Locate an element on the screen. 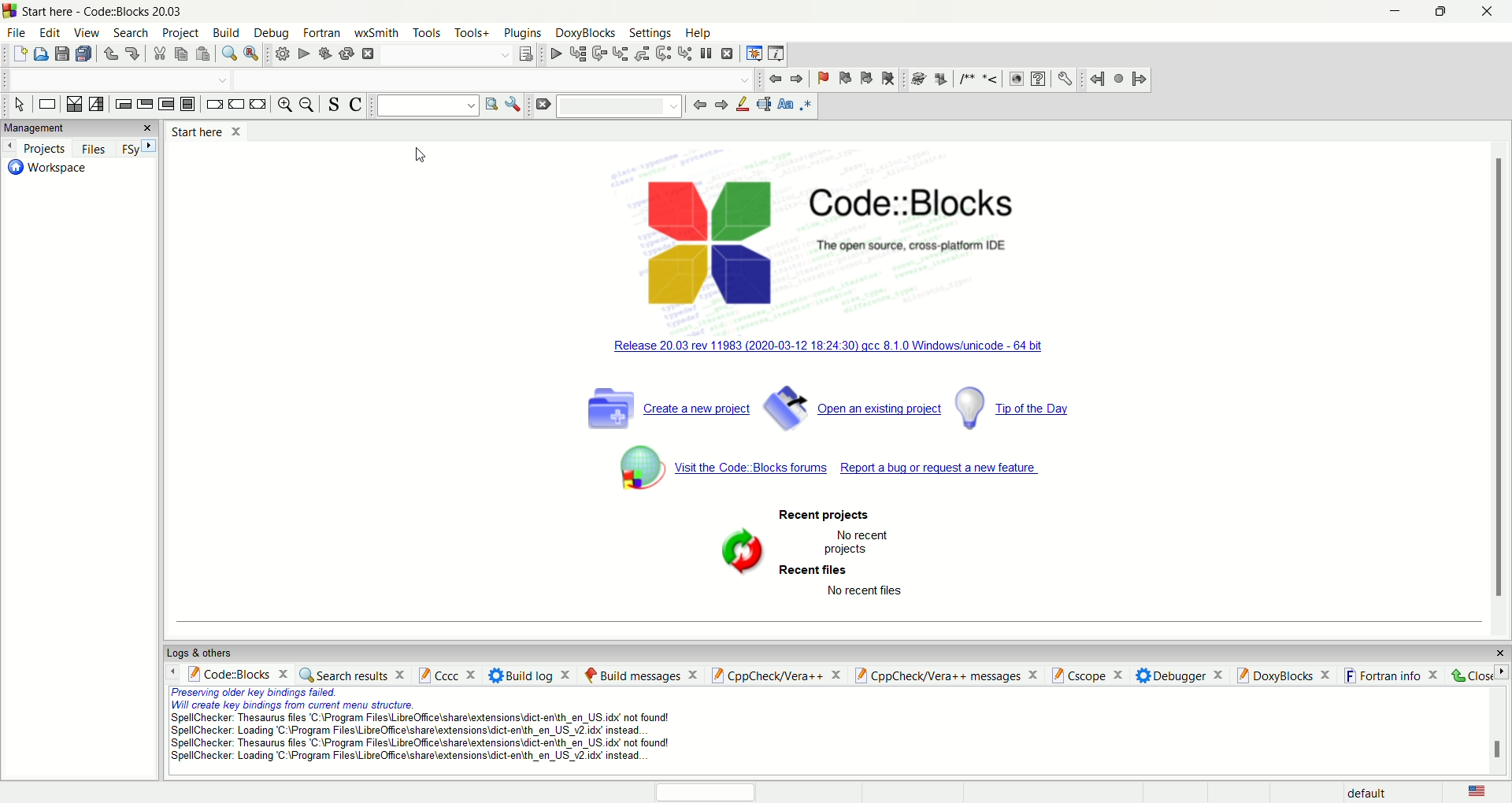  Code completion compiler is located at coordinates (495, 81).